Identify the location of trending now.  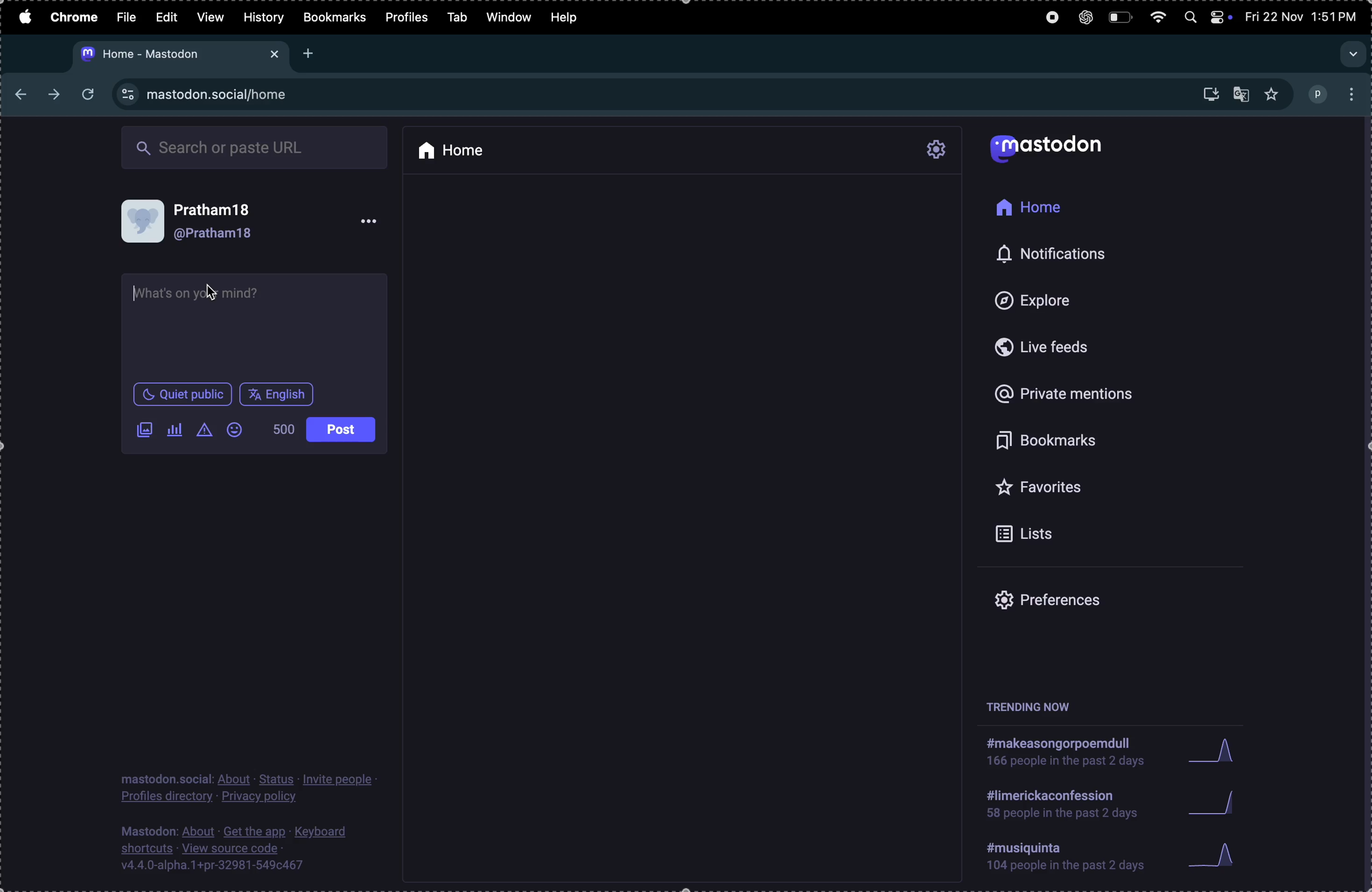
(1030, 705).